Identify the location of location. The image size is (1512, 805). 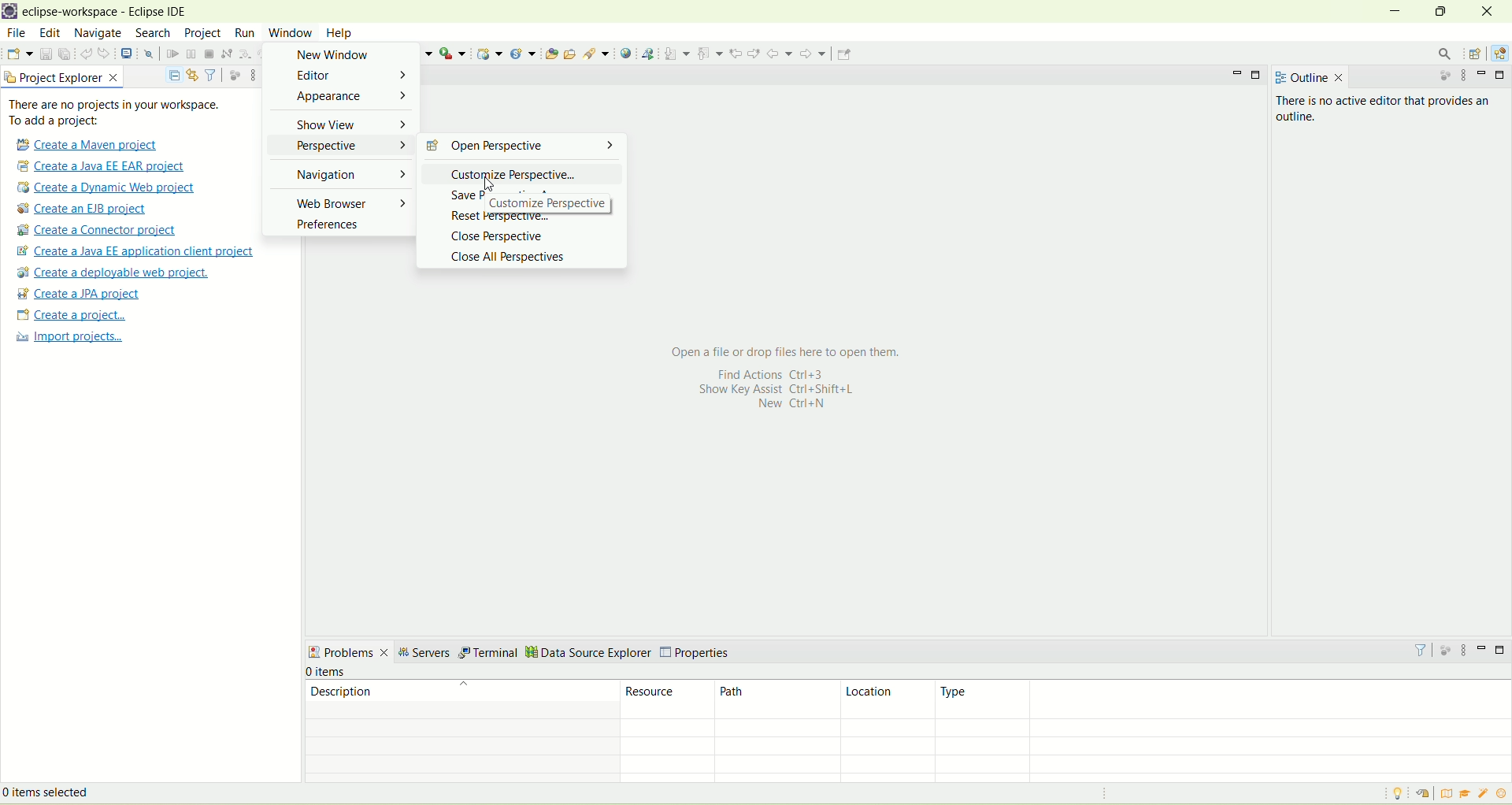
(888, 700).